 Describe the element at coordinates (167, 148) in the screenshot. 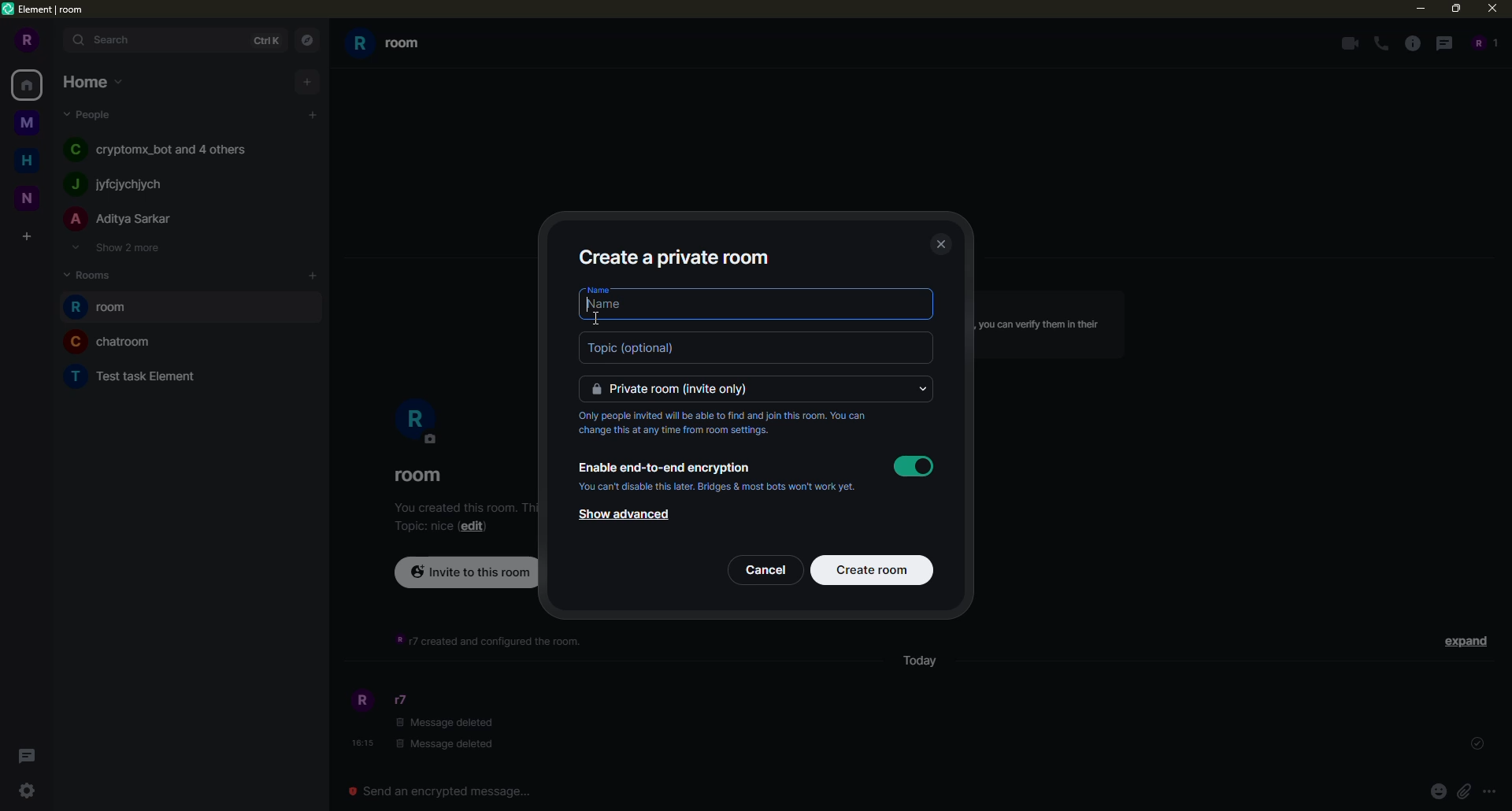

I see `people` at that location.